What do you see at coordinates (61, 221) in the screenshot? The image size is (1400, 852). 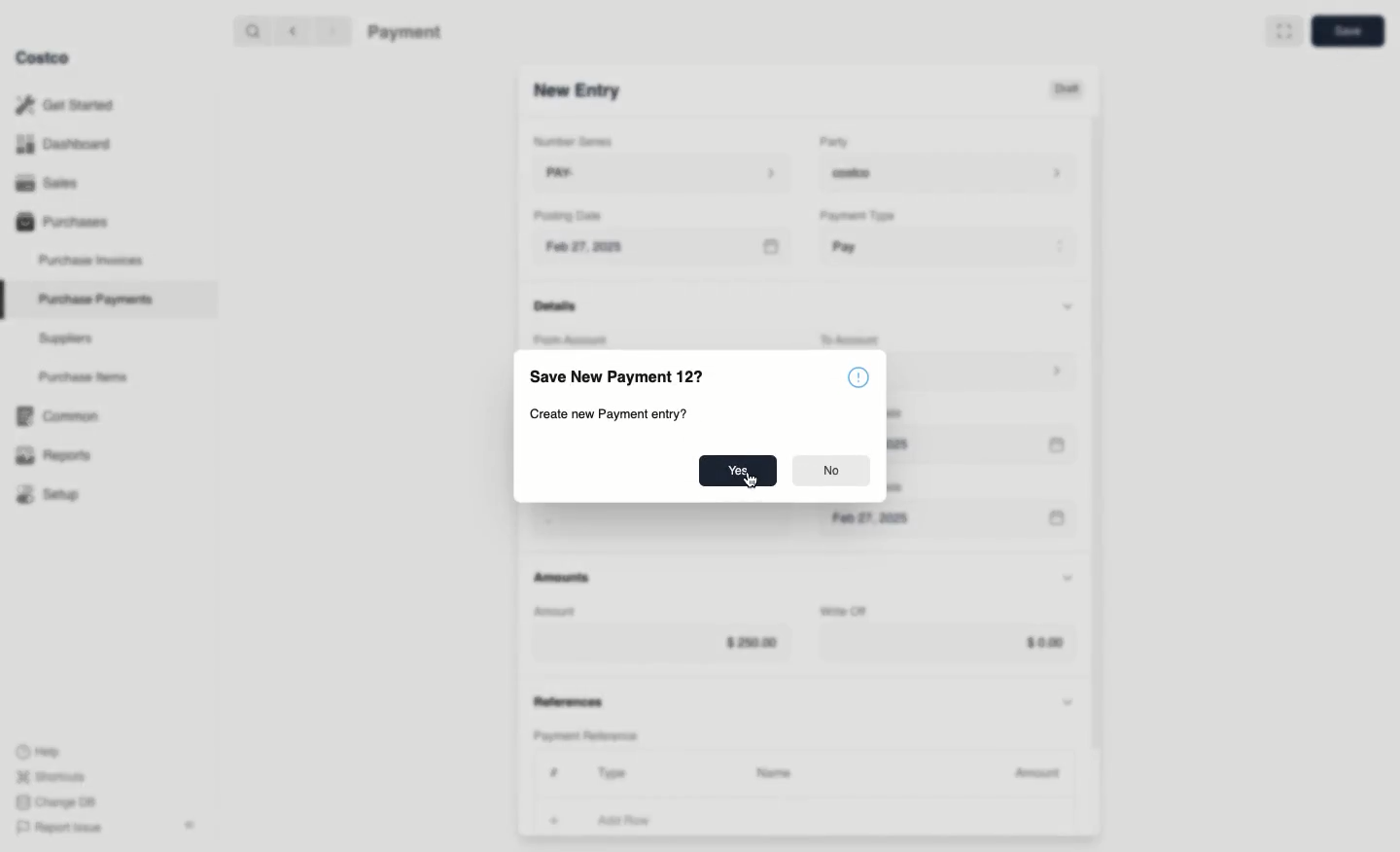 I see `Purchases` at bounding box center [61, 221].